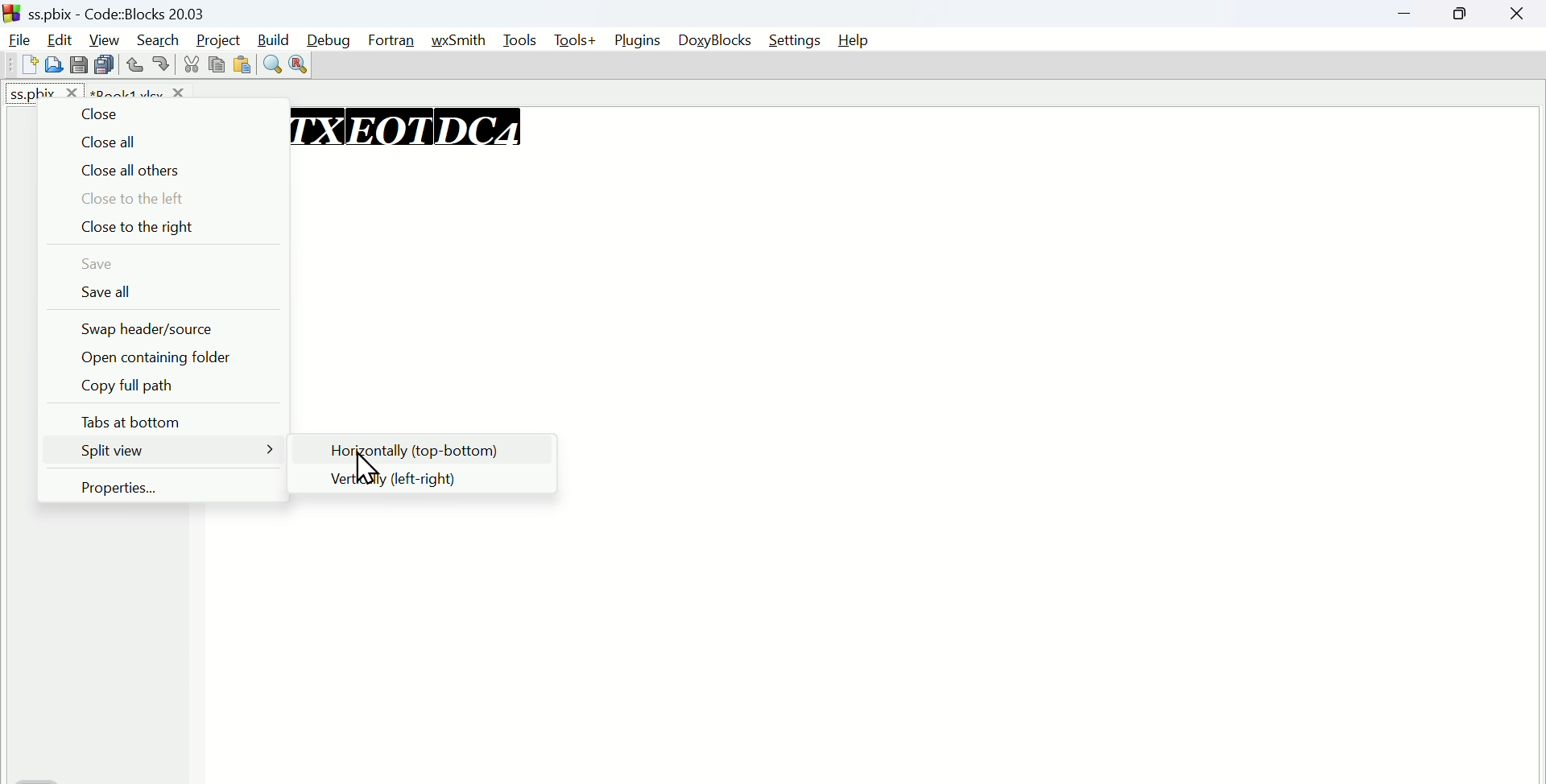 This screenshot has height=784, width=1546. Describe the element at coordinates (163, 64) in the screenshot. I see `redo` at that location.